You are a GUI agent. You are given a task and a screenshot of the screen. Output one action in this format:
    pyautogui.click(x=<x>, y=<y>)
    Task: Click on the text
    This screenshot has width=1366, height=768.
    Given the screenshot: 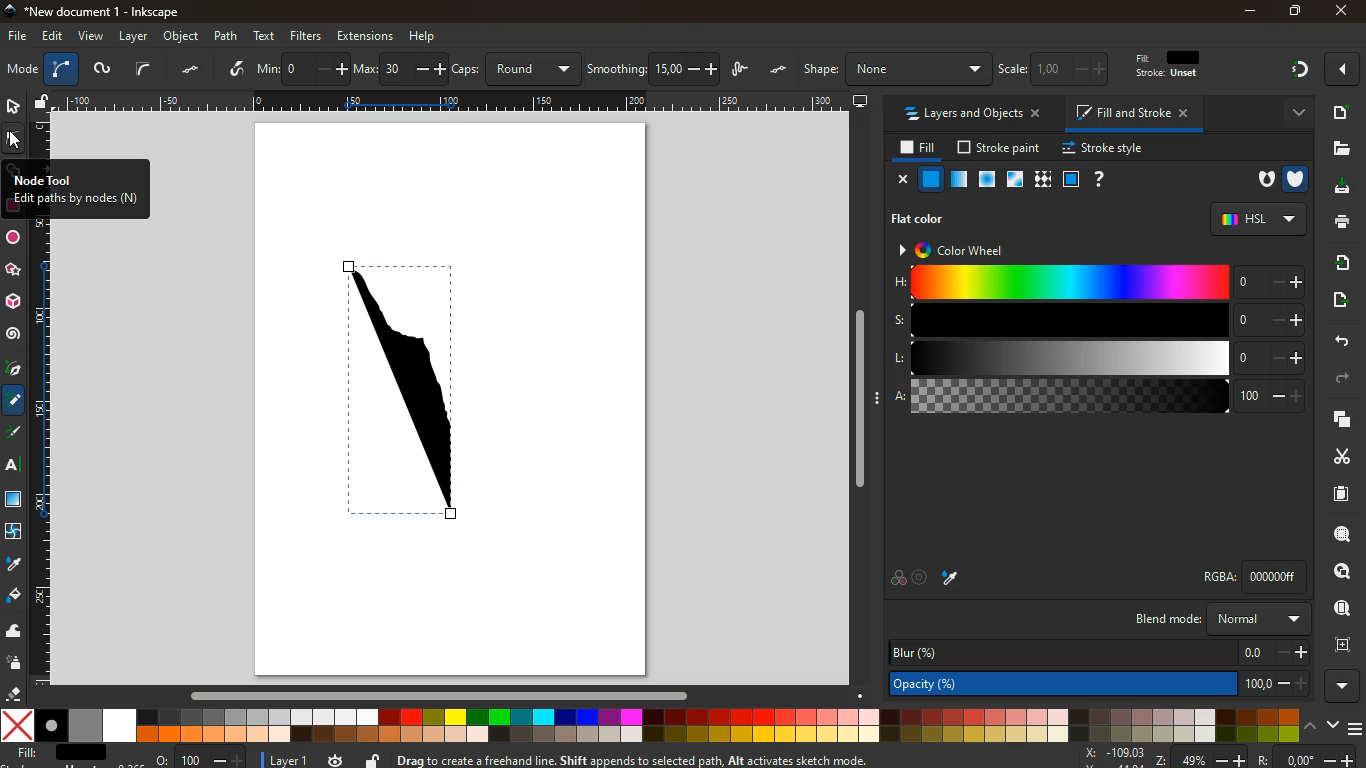 What is the action you would take?
    pyautogui.click(x=266, y=36)
    